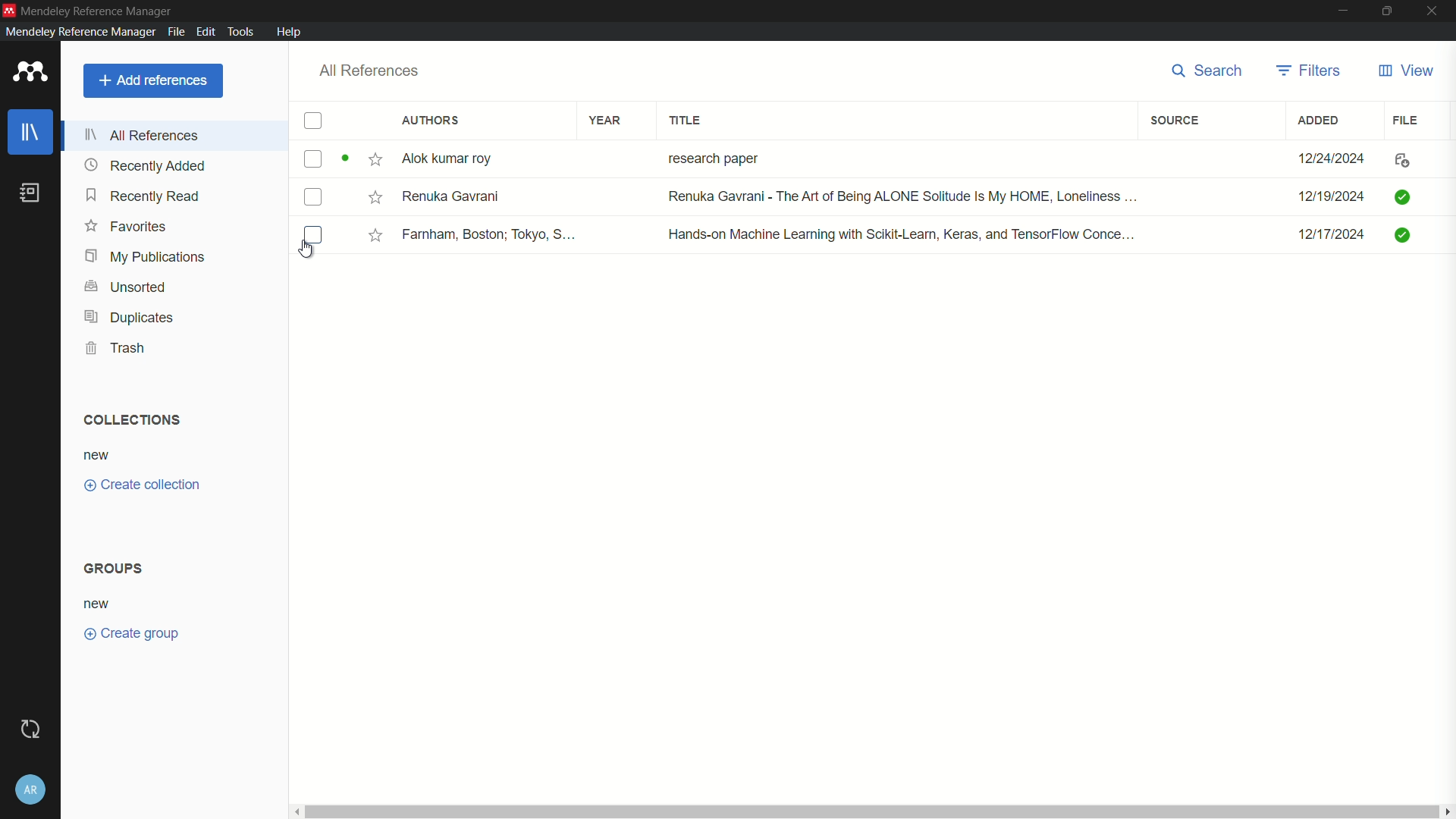 This screenshot has width=1456, height=819. What do you see at coordinates (77, 32) in the screenshot?
I see `Mendeley Reference Manager` at bounding box center [77, 32].